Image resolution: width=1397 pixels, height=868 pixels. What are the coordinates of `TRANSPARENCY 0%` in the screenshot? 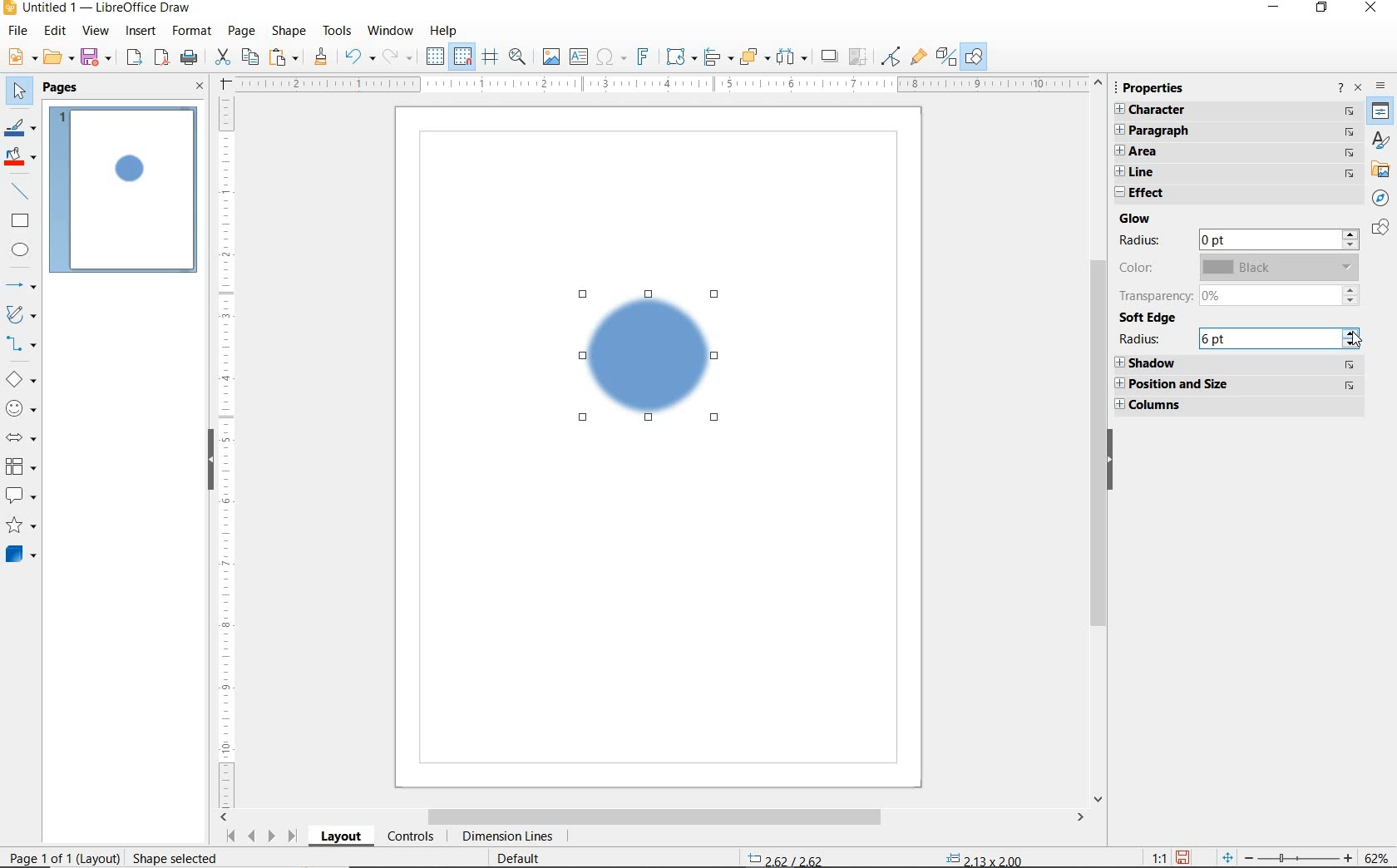 It's located at (1226, 294).